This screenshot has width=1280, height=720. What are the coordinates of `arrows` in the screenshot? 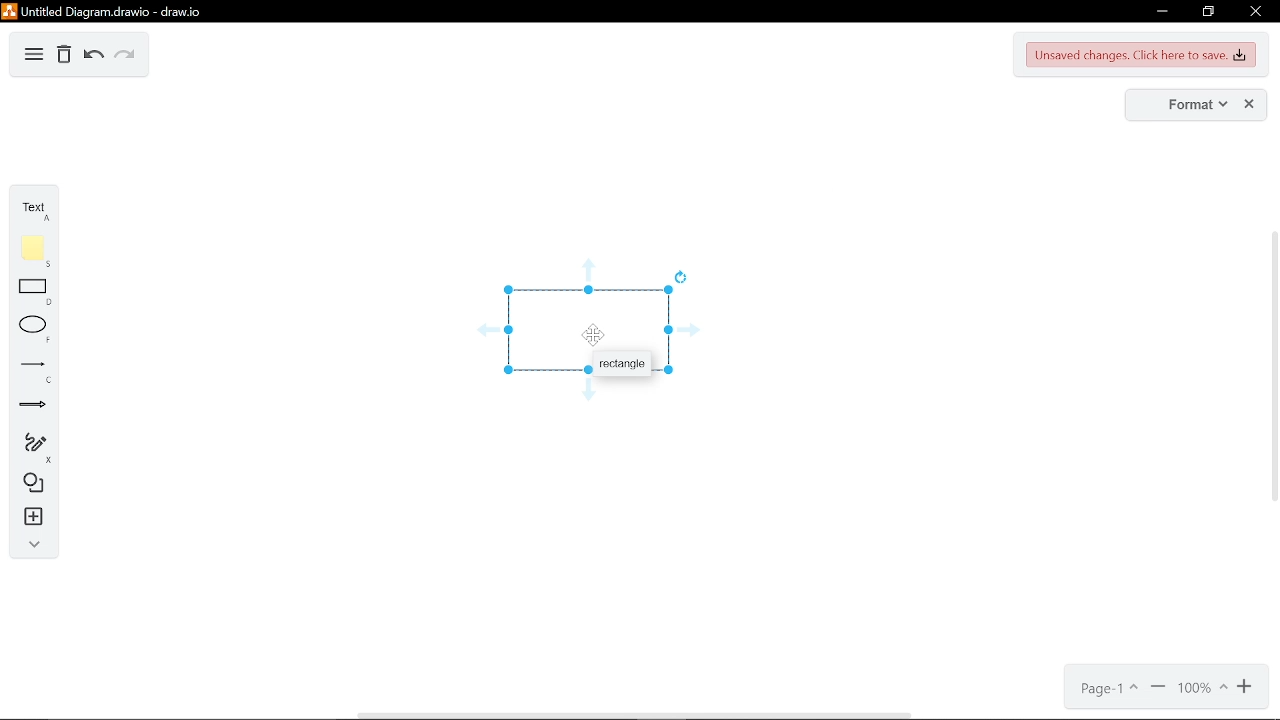 It's located at (34, 407).